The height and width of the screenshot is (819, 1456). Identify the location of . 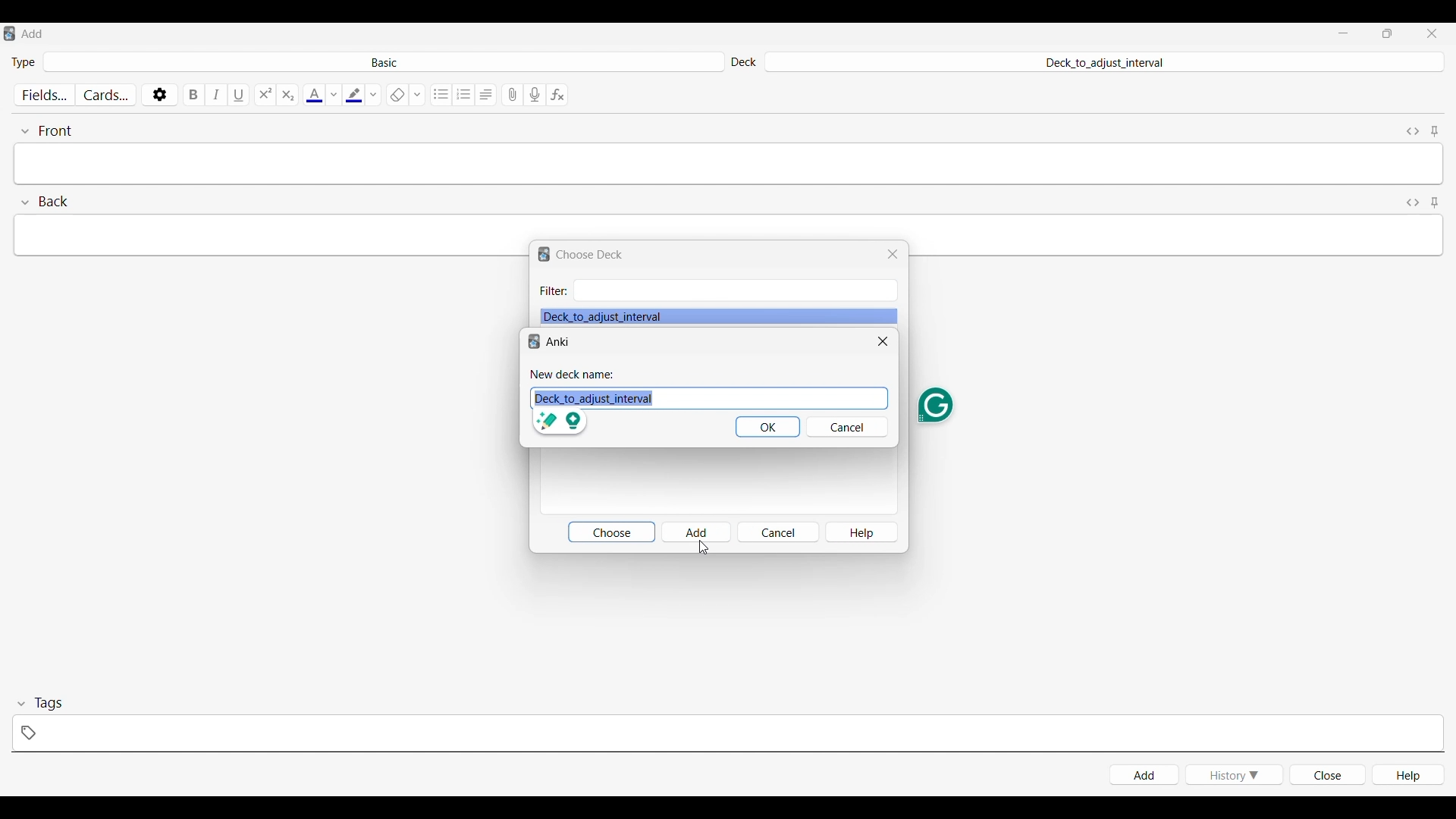
(1144, 776).